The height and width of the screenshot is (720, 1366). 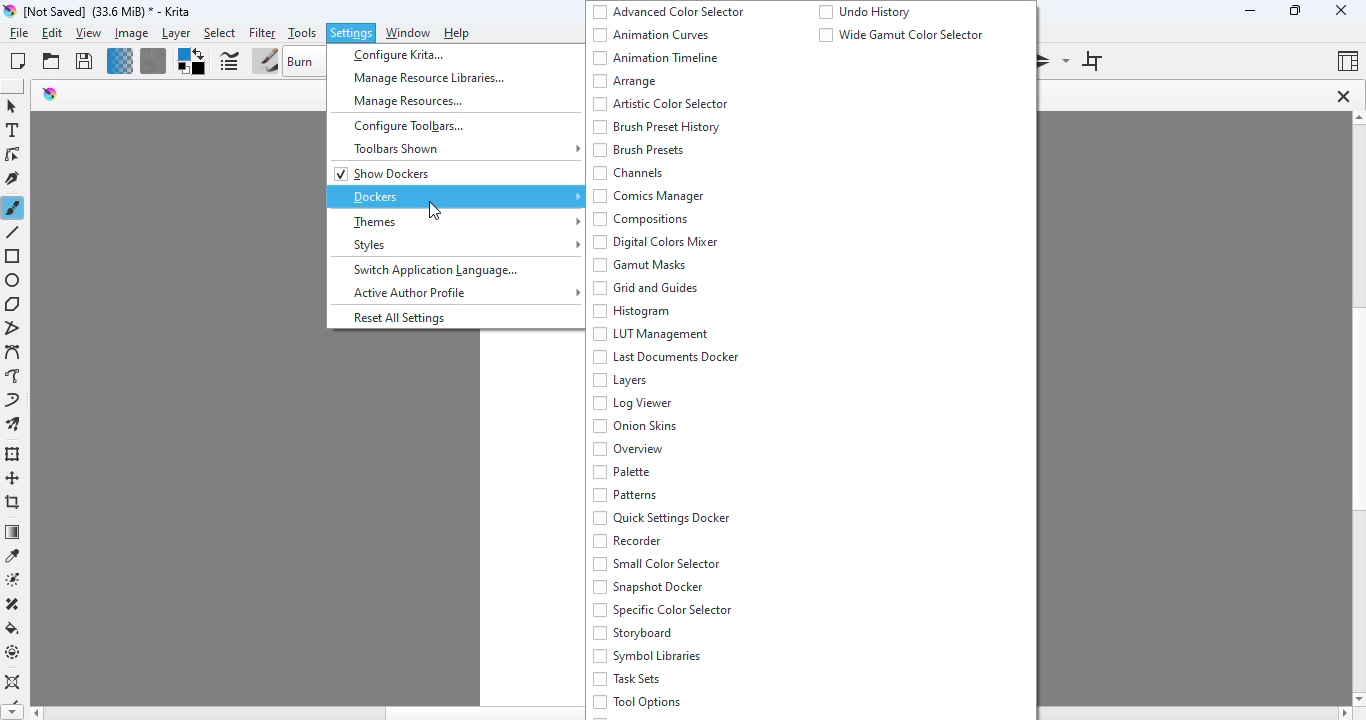 What do you see at coordinates (13, 304) in the screenshot?
I see `polygon tool` at bounding box center [13, 304].